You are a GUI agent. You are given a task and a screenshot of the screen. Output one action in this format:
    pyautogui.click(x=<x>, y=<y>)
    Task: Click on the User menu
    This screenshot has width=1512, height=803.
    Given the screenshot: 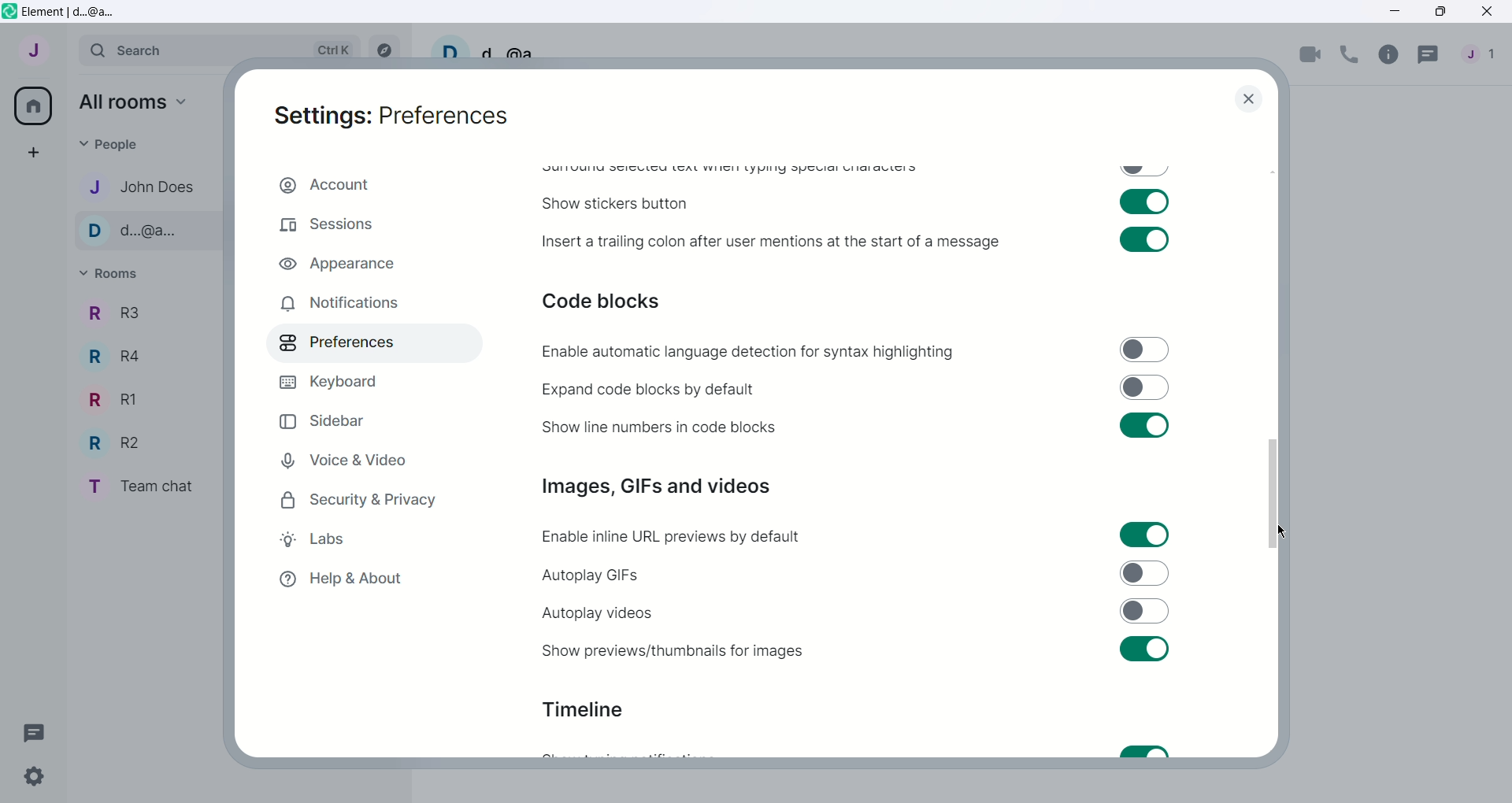 What is the action you would take?
    pyautogui.click(x=35, y=48)
    